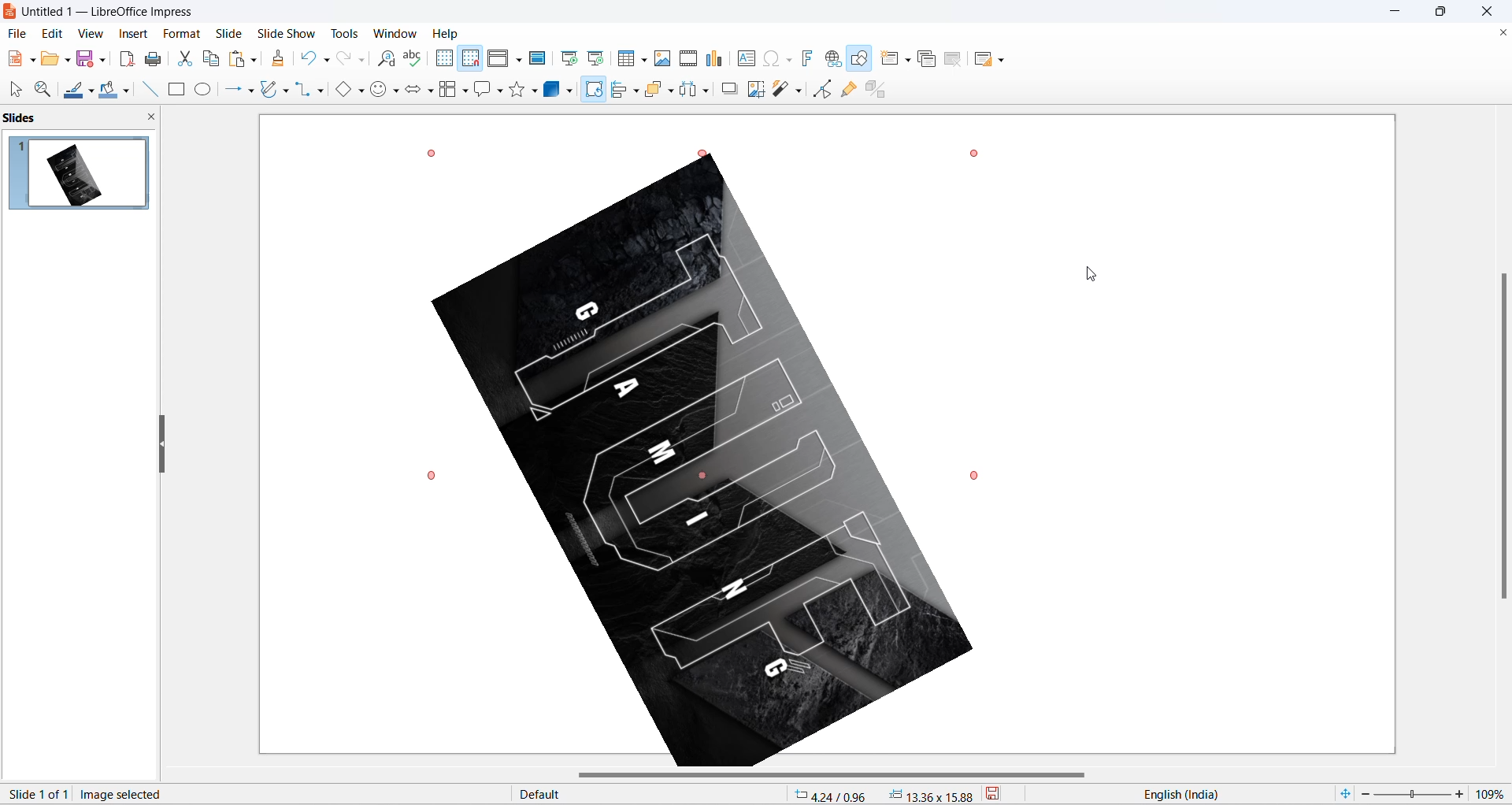 The height and width of the screenshot is (805, 1512). I want to click on insert images, so click(663, 58).